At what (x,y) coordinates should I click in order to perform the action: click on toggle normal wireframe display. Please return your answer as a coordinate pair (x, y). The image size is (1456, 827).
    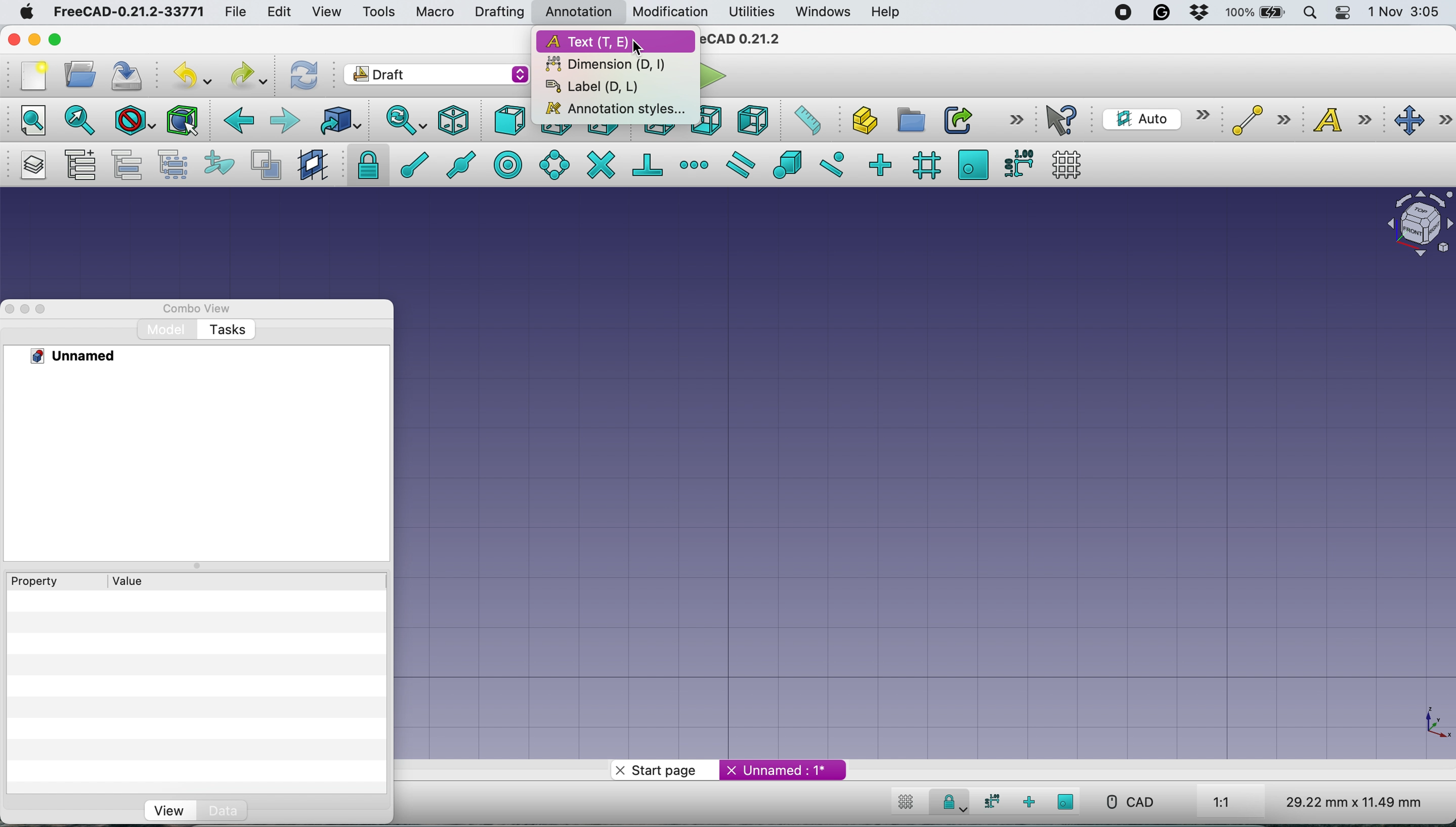
    Looking at the image, I should click on (265, 164).